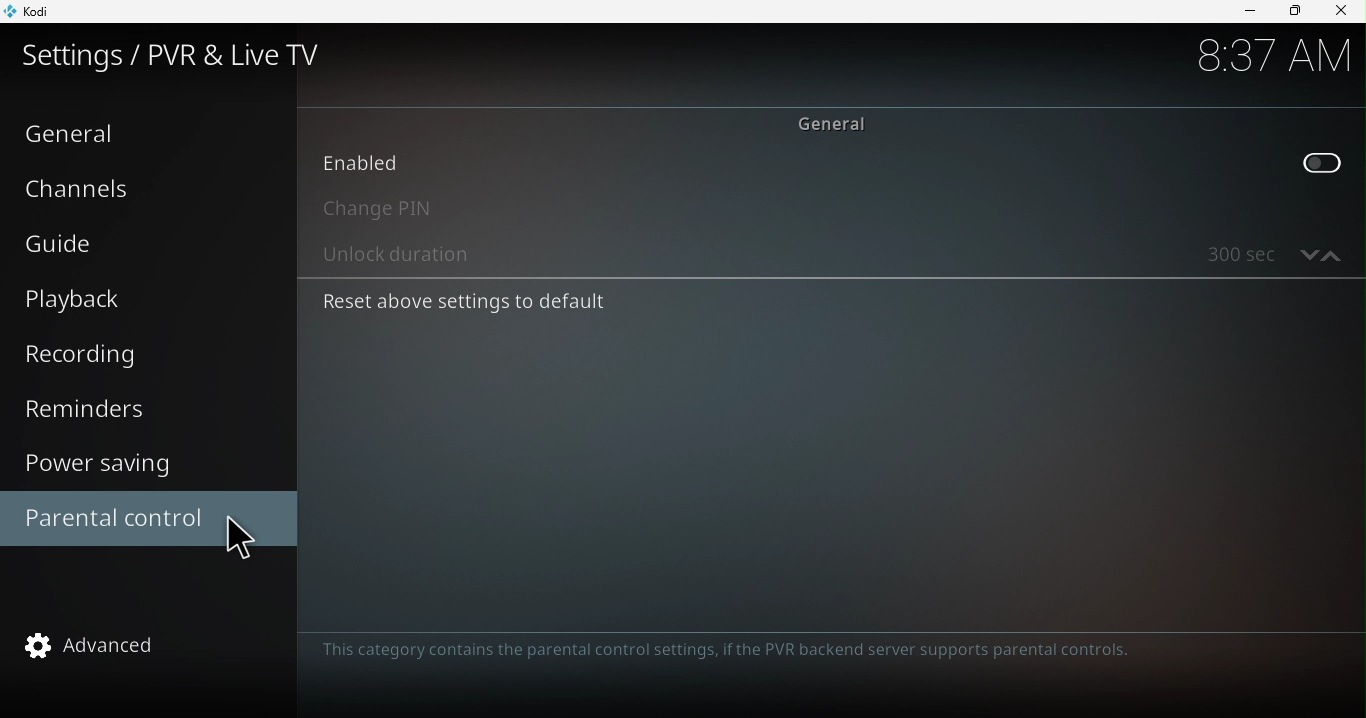 The image size is (1366, 718). I want to click on Guide, so click(68, 242).